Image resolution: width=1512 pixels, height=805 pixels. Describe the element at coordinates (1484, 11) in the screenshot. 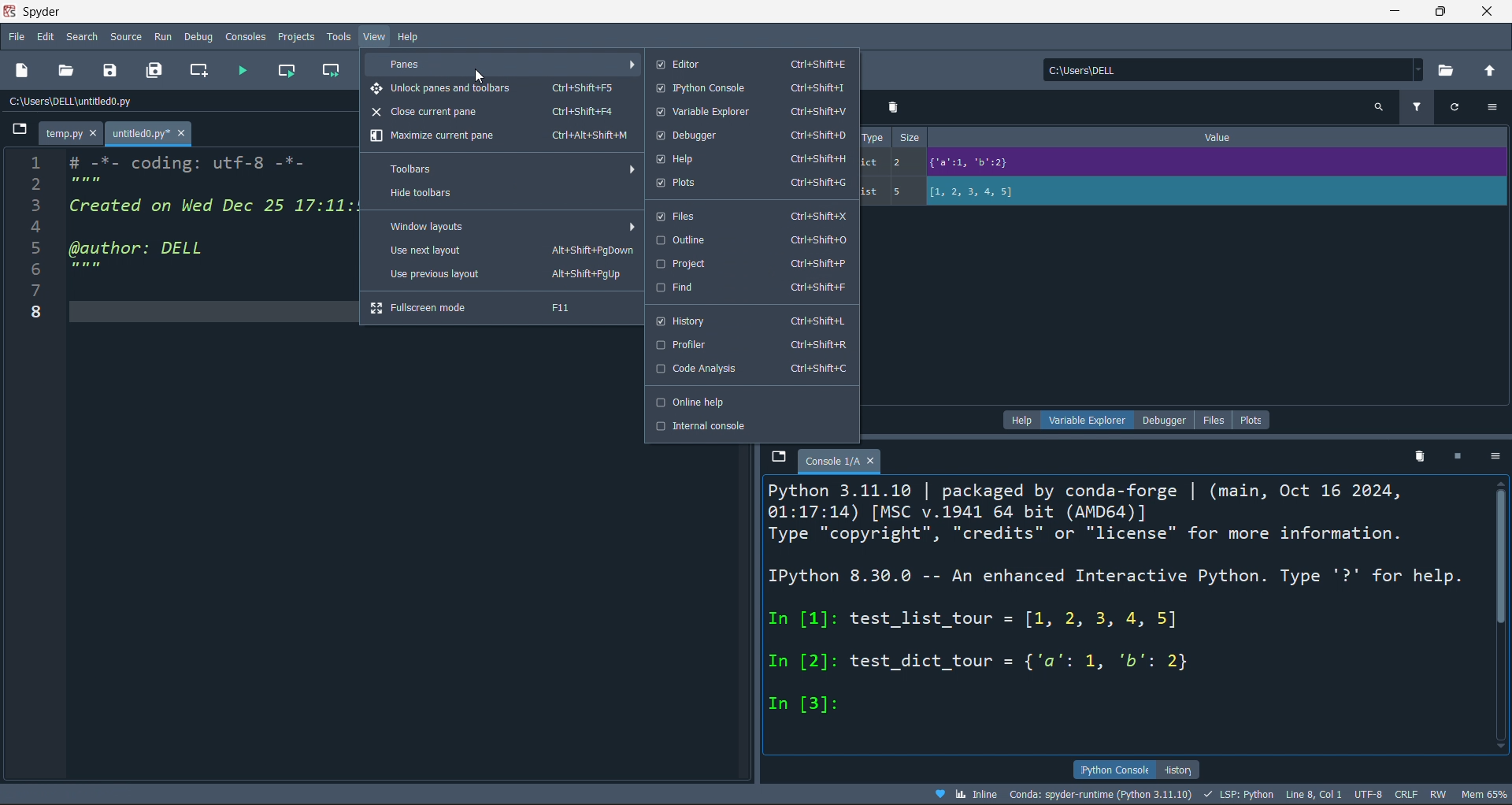

I see `close` at that location.